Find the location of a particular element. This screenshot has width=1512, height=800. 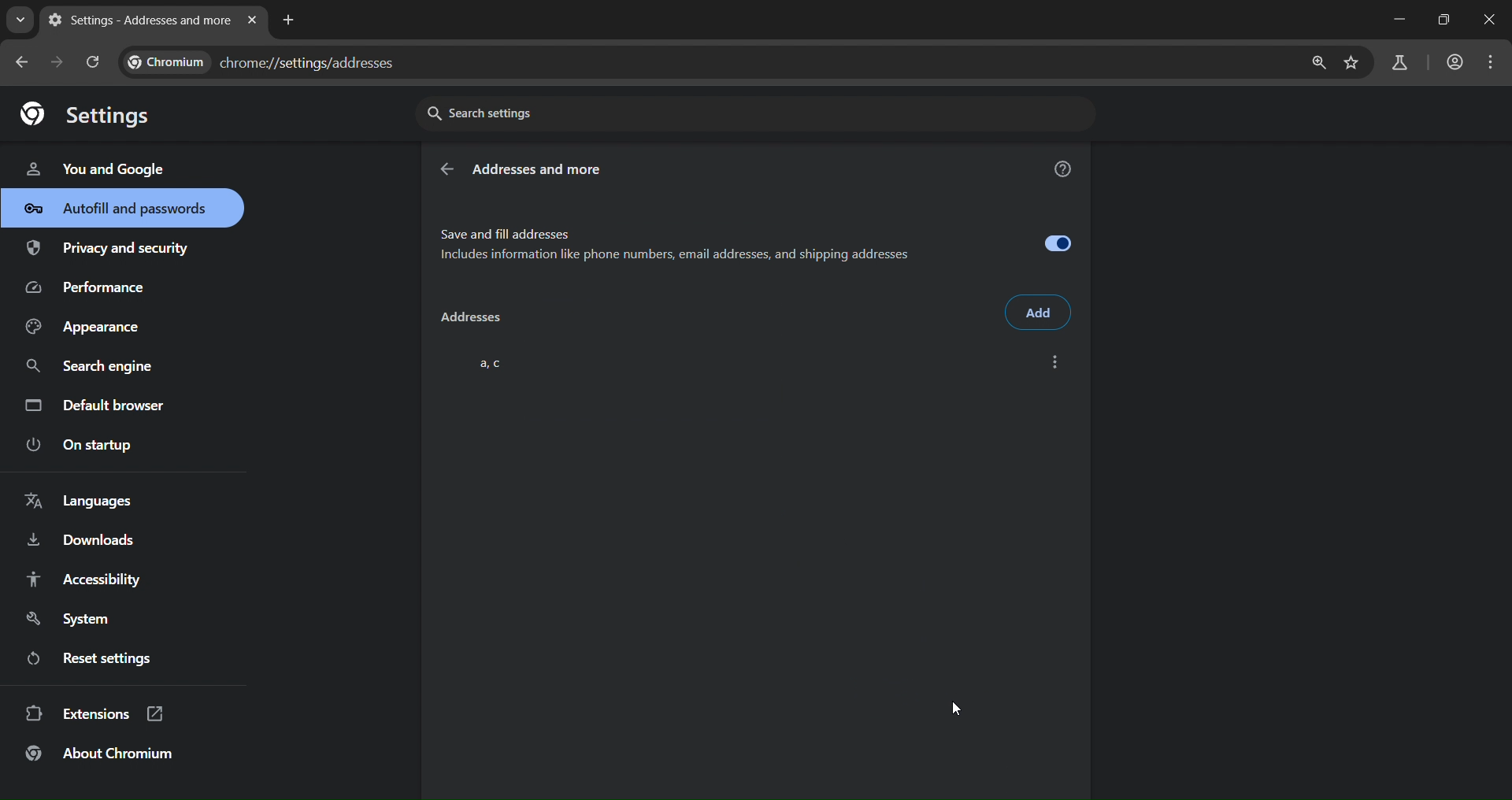

added address- a,c is located at coordinates (752, 359).